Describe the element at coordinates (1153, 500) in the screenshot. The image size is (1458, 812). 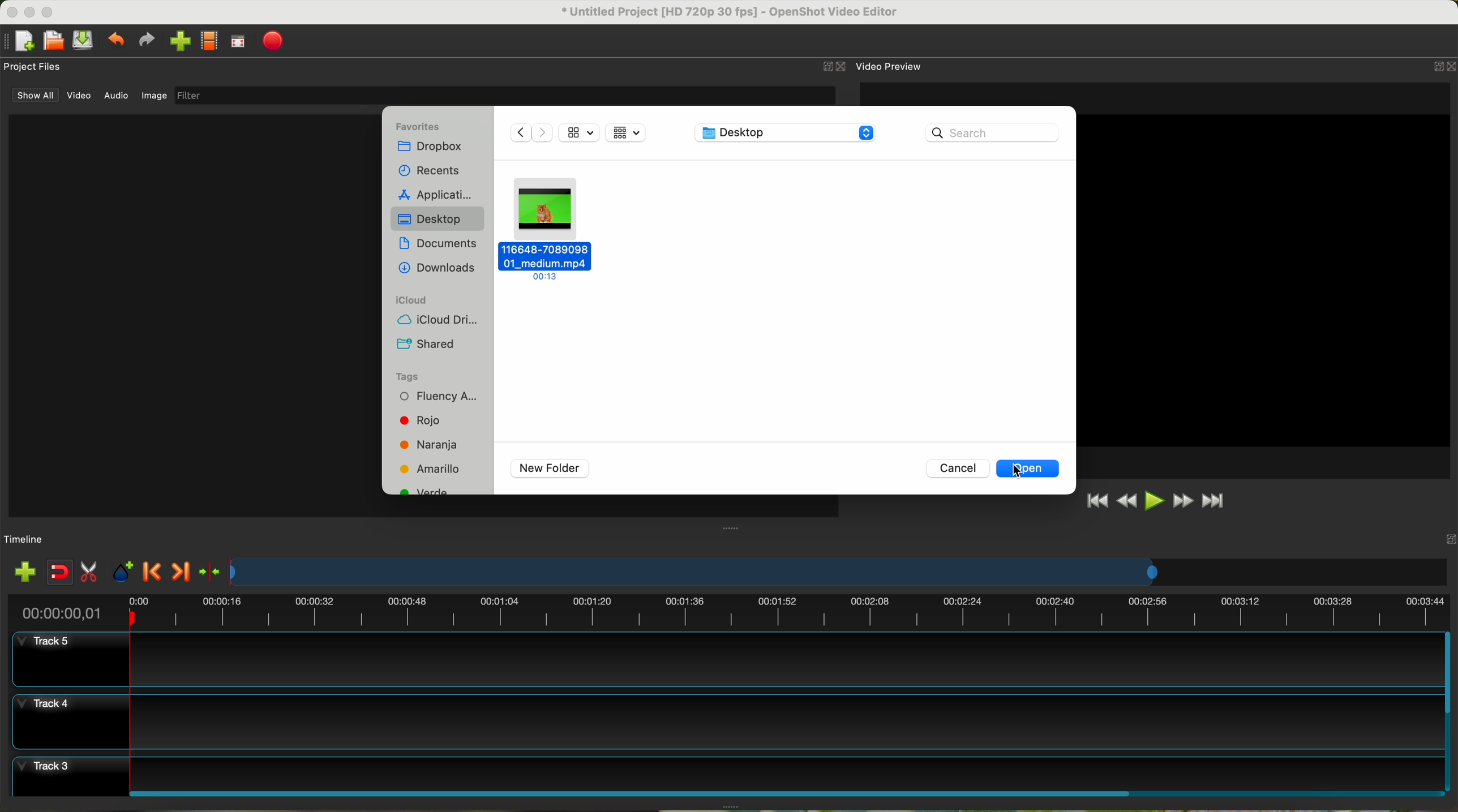
I see `play` at that location.